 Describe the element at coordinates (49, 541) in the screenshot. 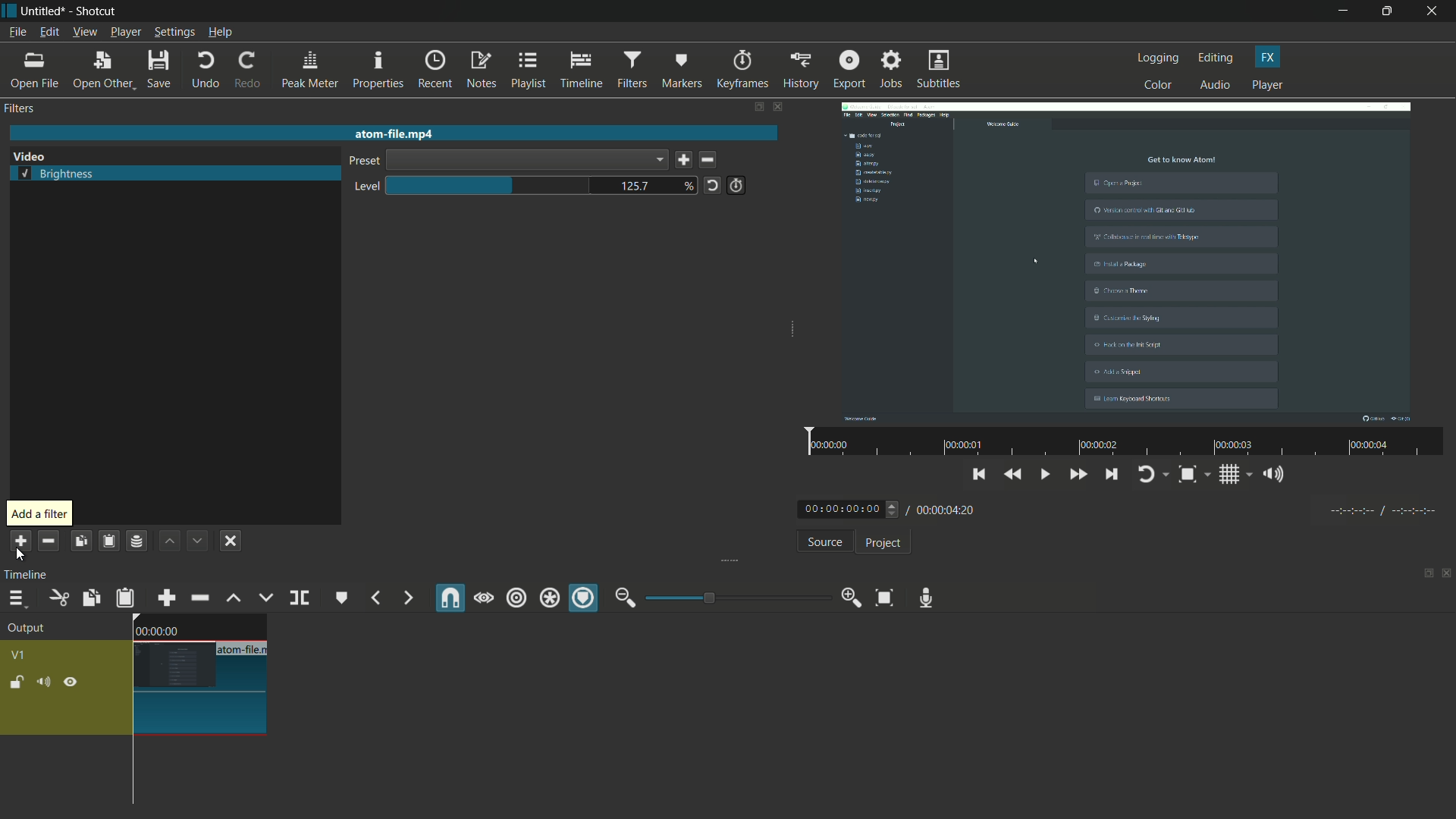

I see `remove selected filter` at that location.